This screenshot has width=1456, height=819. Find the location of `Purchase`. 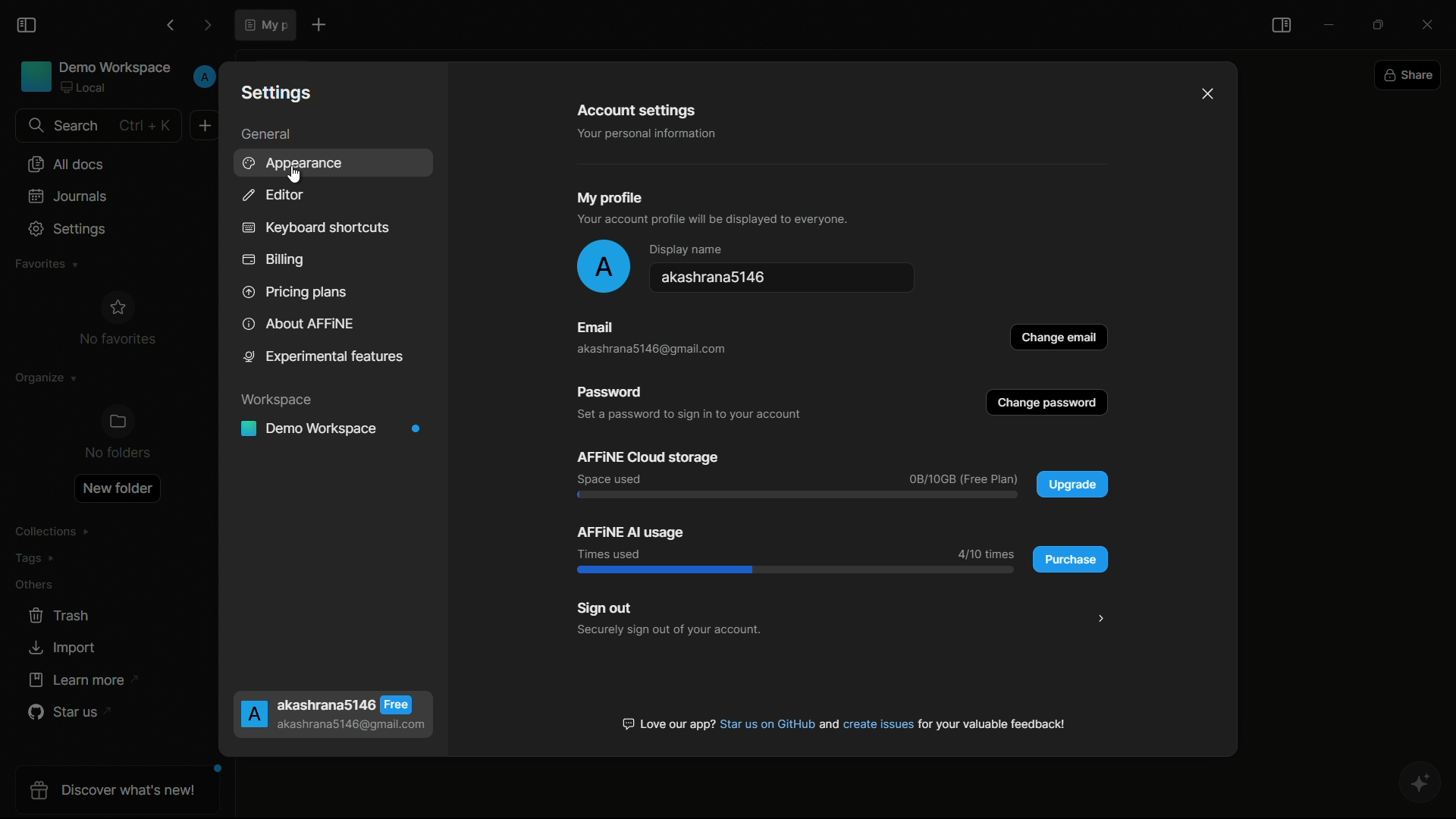

Purchase is located at coordinates (1074, 559).